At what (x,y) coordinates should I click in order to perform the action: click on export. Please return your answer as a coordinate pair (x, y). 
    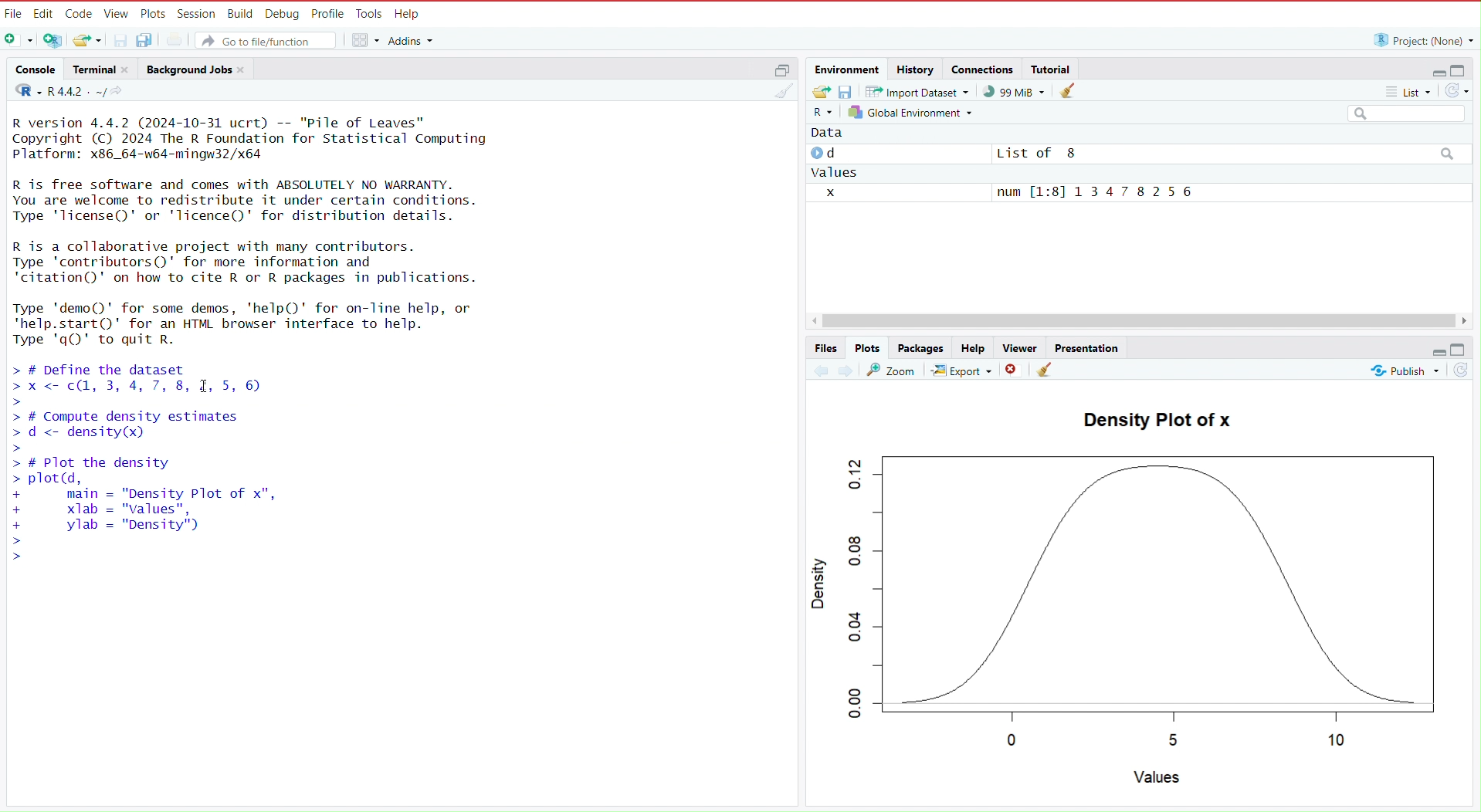
    Looking at the image, I should click on (961, 370).